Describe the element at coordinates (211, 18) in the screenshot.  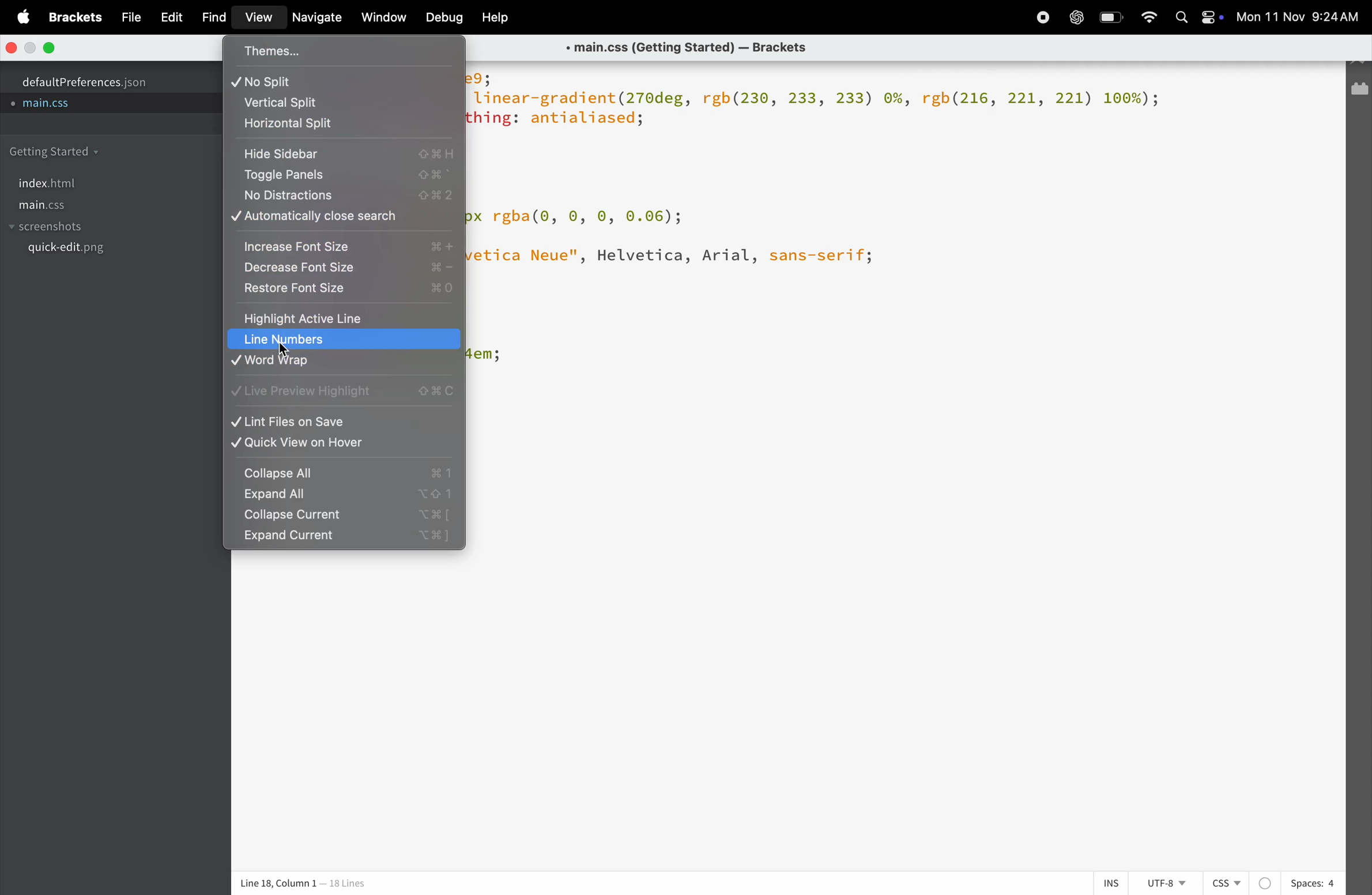
I see `find` at that location.